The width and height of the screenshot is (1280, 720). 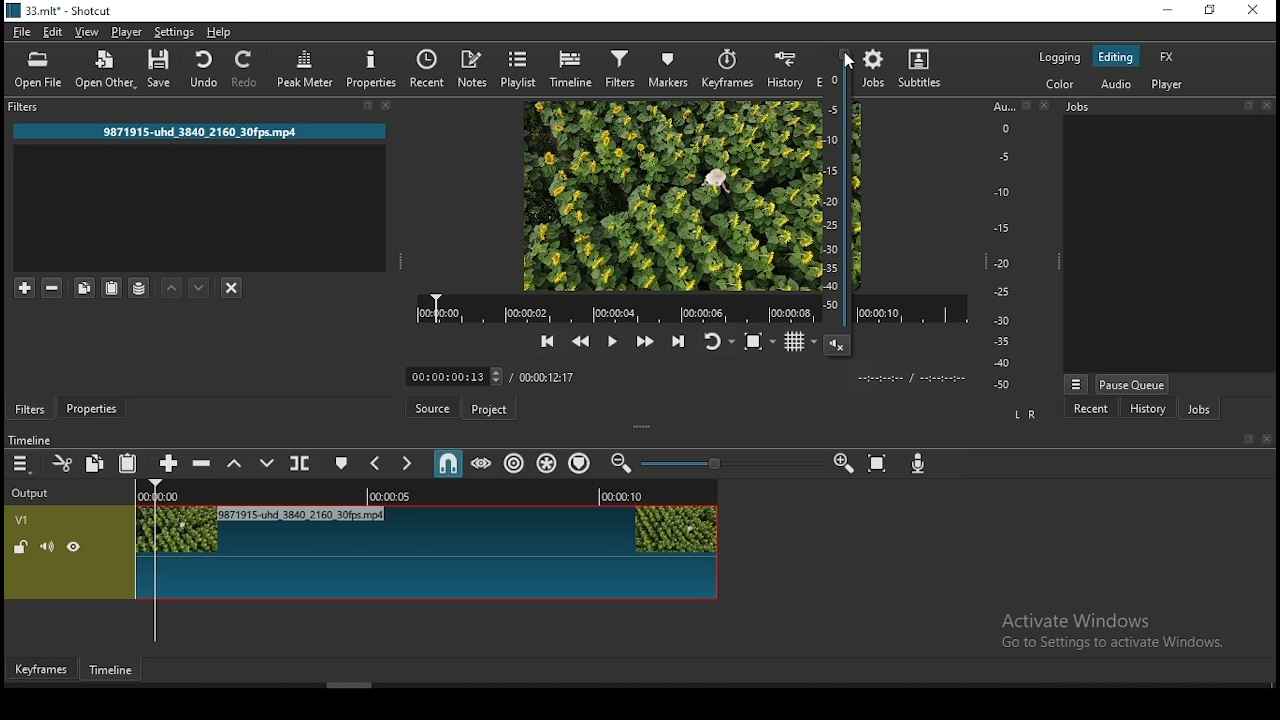 I want to click on remove selected filters, so click(x=53, y=289).